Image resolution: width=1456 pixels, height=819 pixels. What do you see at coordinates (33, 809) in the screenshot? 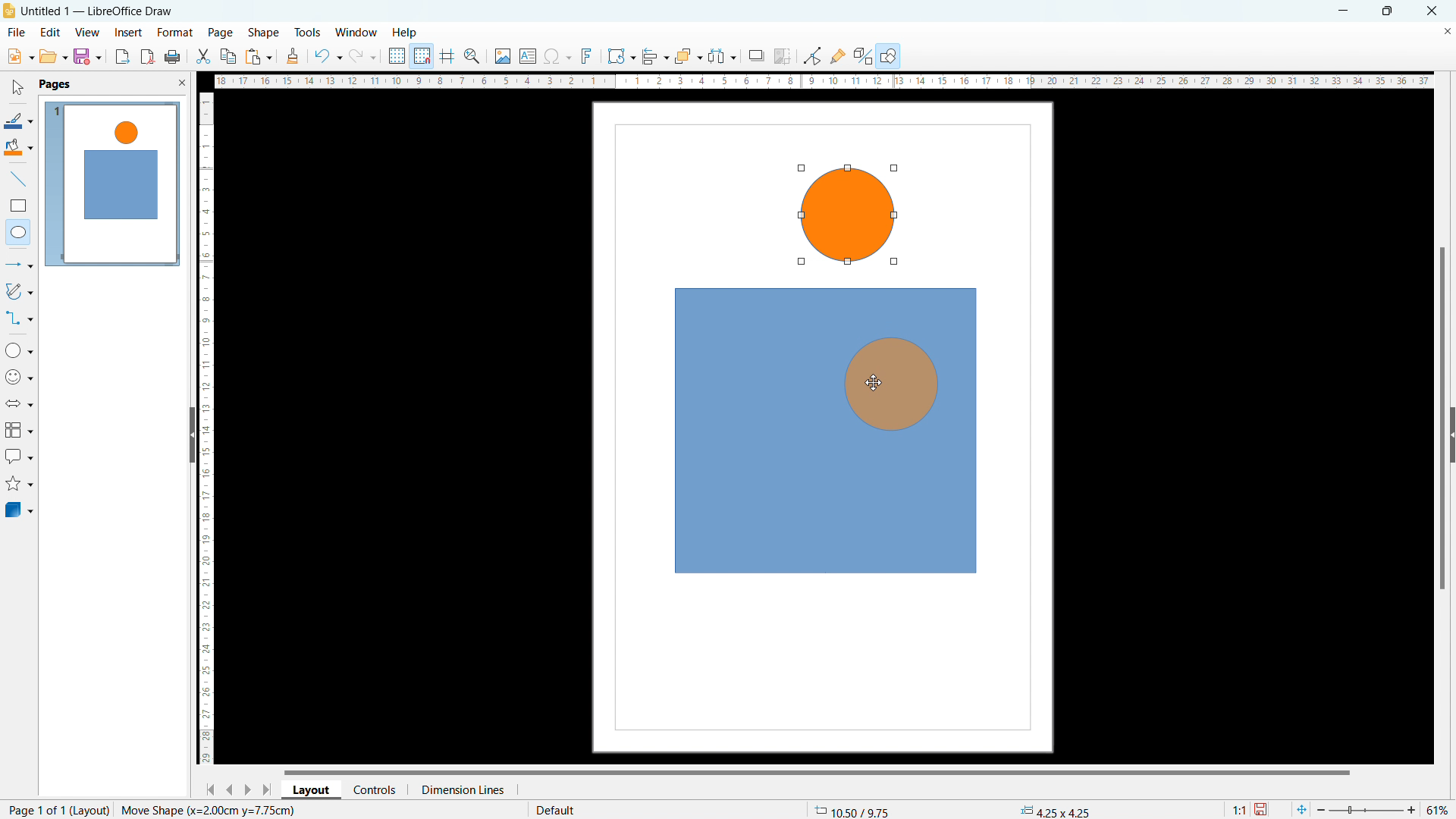
I see `current page` at bounding box center [33, 809].